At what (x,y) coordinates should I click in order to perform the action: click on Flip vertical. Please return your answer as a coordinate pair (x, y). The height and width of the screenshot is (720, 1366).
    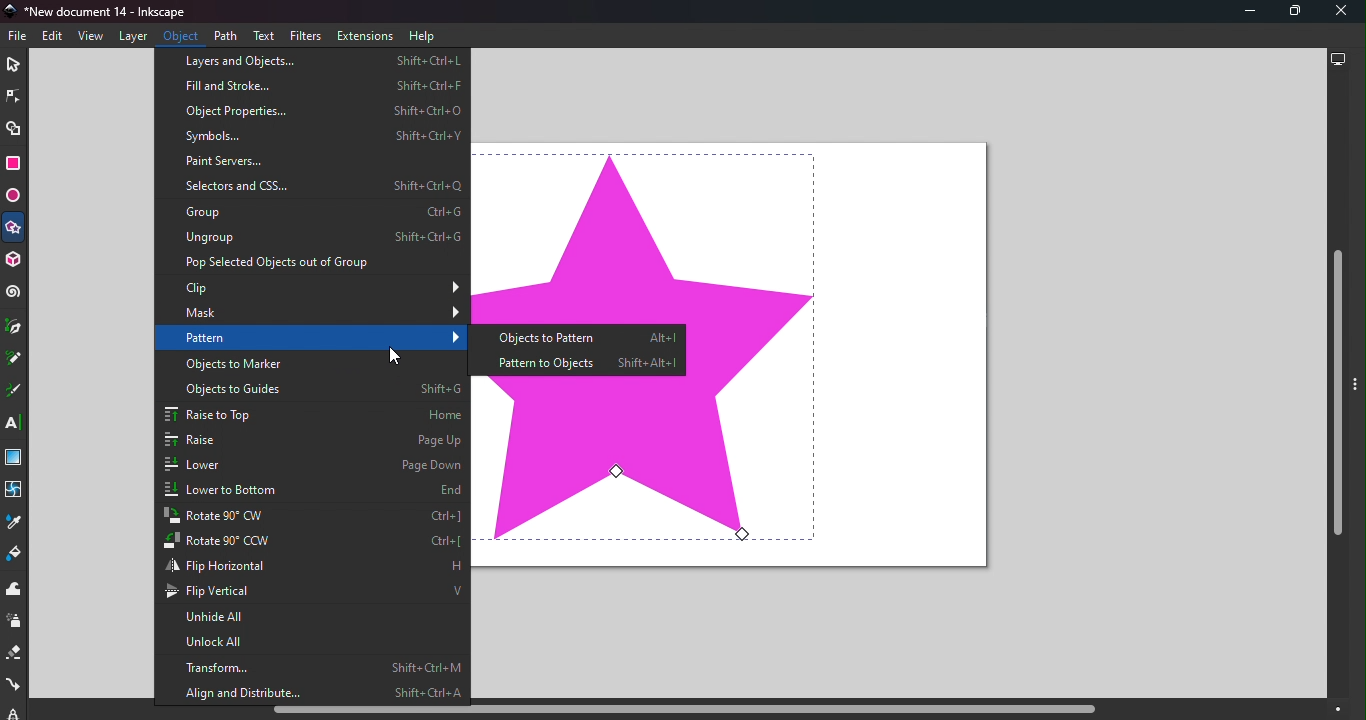
    Looking at the image, I should click on (315, 593).